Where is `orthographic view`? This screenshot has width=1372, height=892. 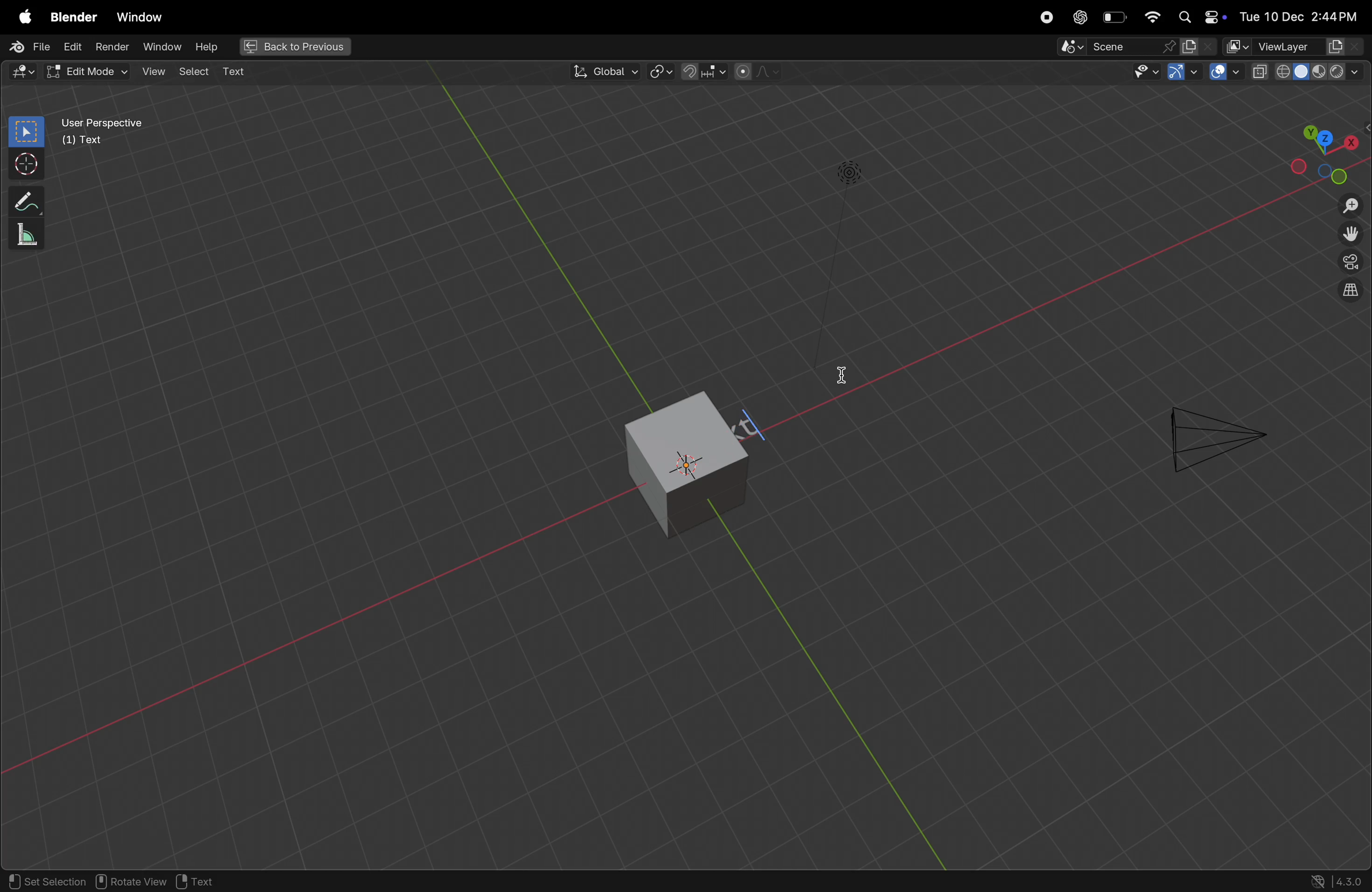
orthographic view is located at coordinates (1351, 292).